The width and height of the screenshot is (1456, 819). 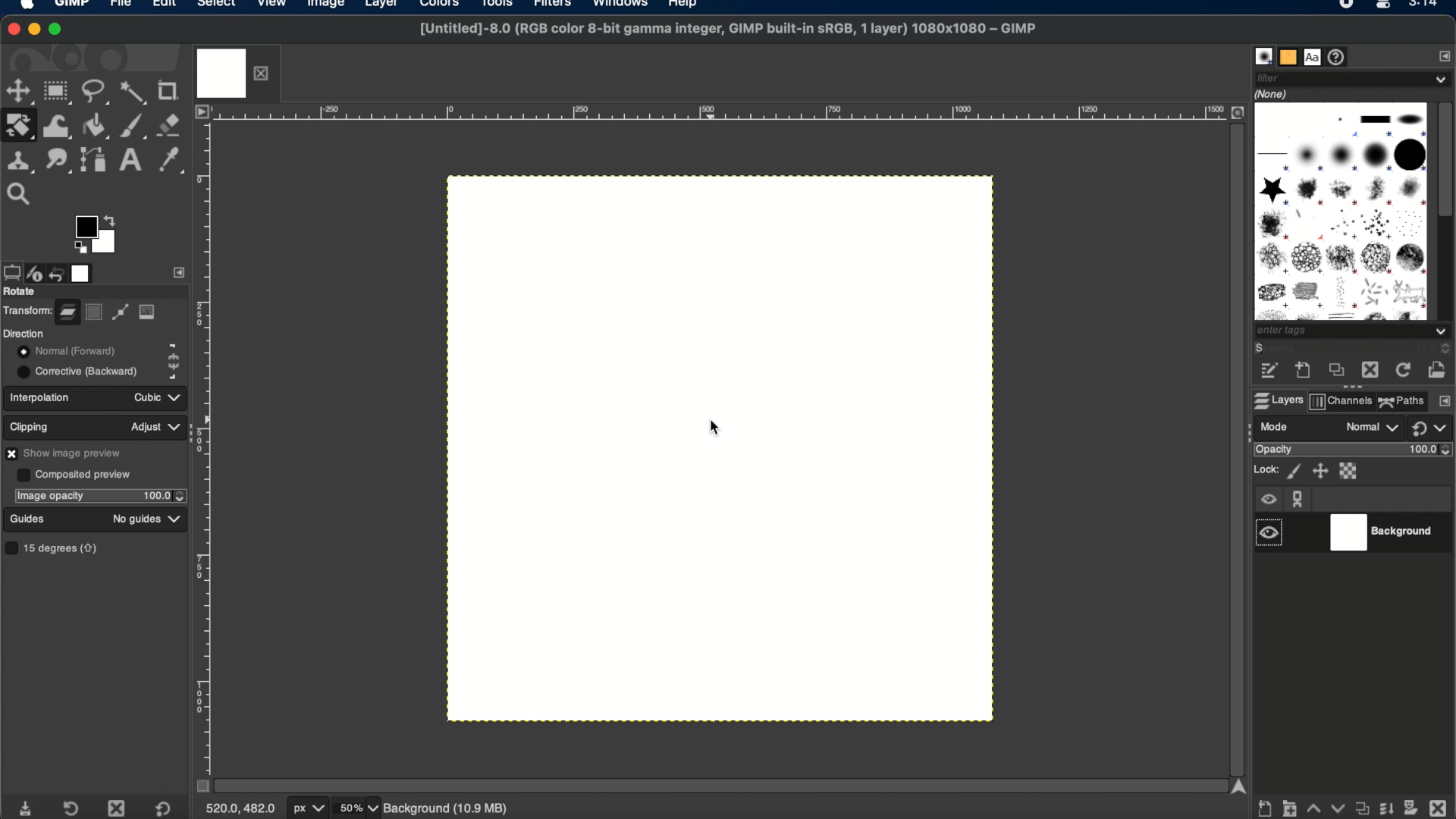 What do you see at coordinates (710, 428) in the screenshot?
I see `cursor` at bounding box center [710, 428].